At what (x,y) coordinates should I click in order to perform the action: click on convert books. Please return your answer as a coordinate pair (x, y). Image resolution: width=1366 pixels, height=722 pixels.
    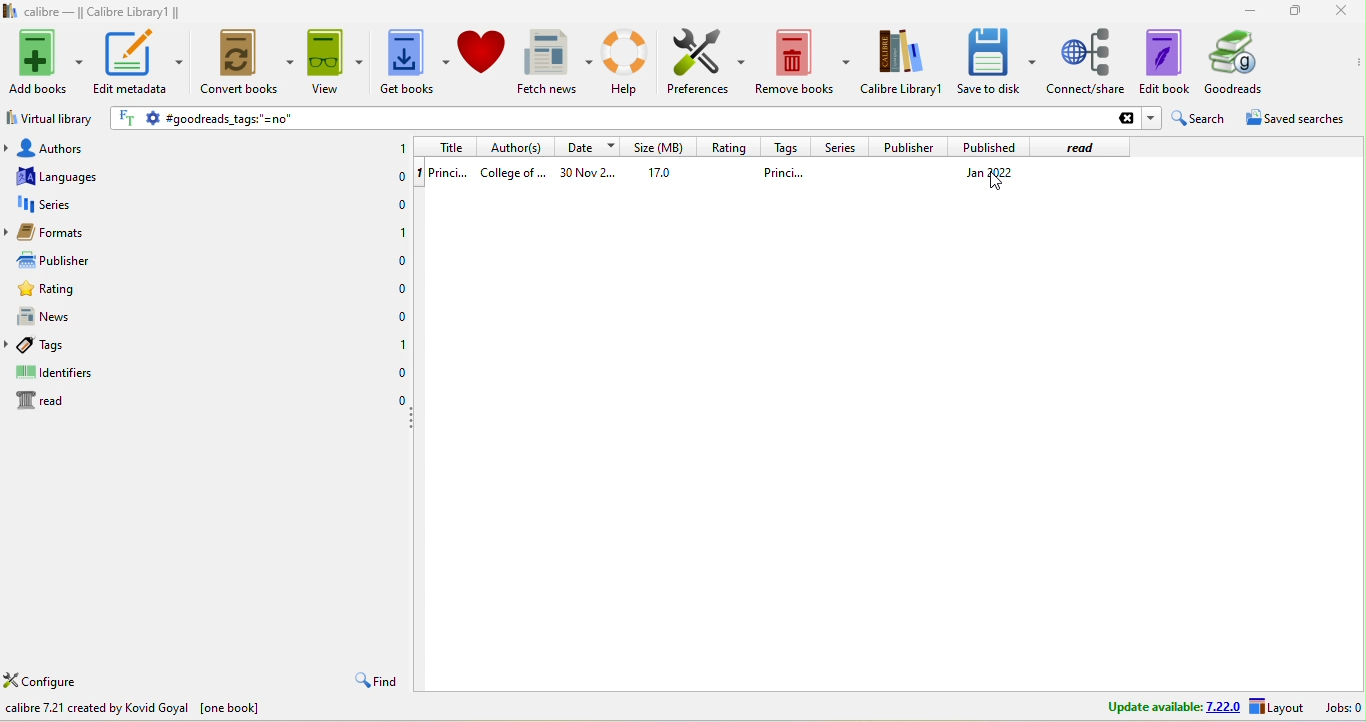
    Looking at the image, I should click on (248, 63).